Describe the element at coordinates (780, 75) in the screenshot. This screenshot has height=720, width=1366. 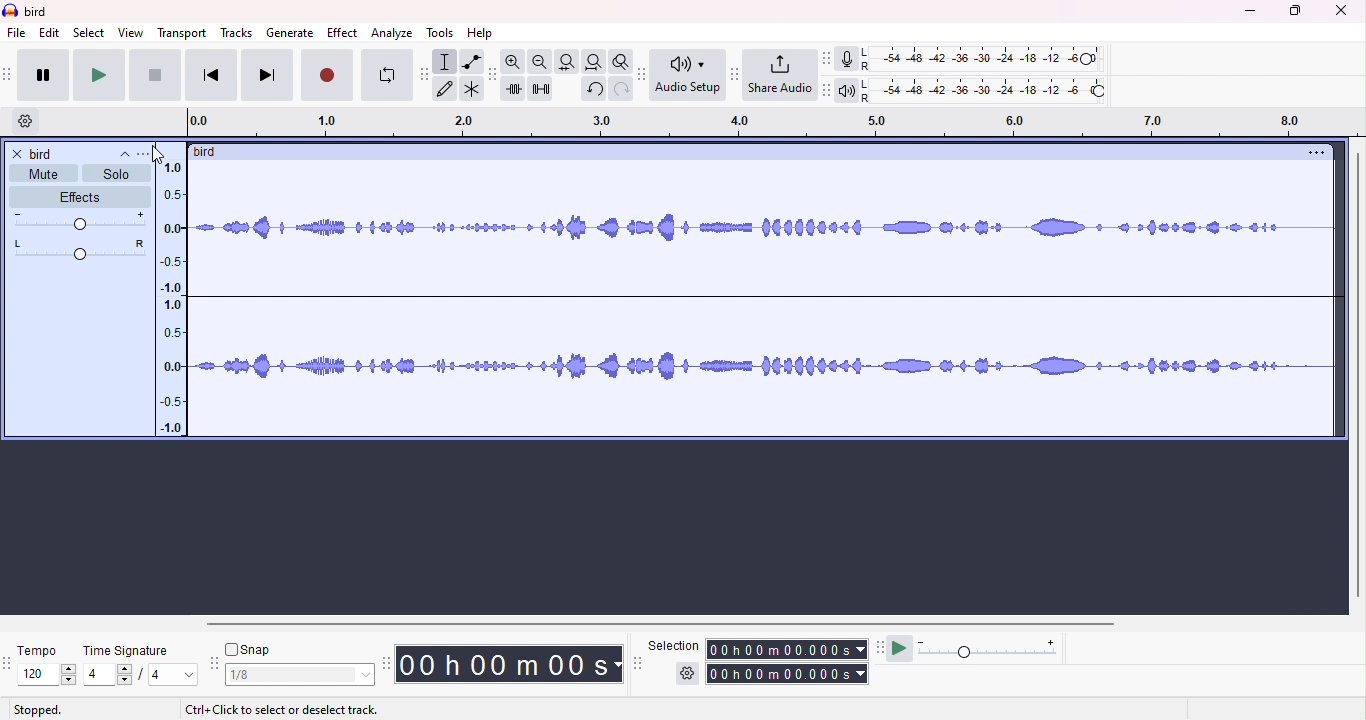
I see `share audio` at that location.